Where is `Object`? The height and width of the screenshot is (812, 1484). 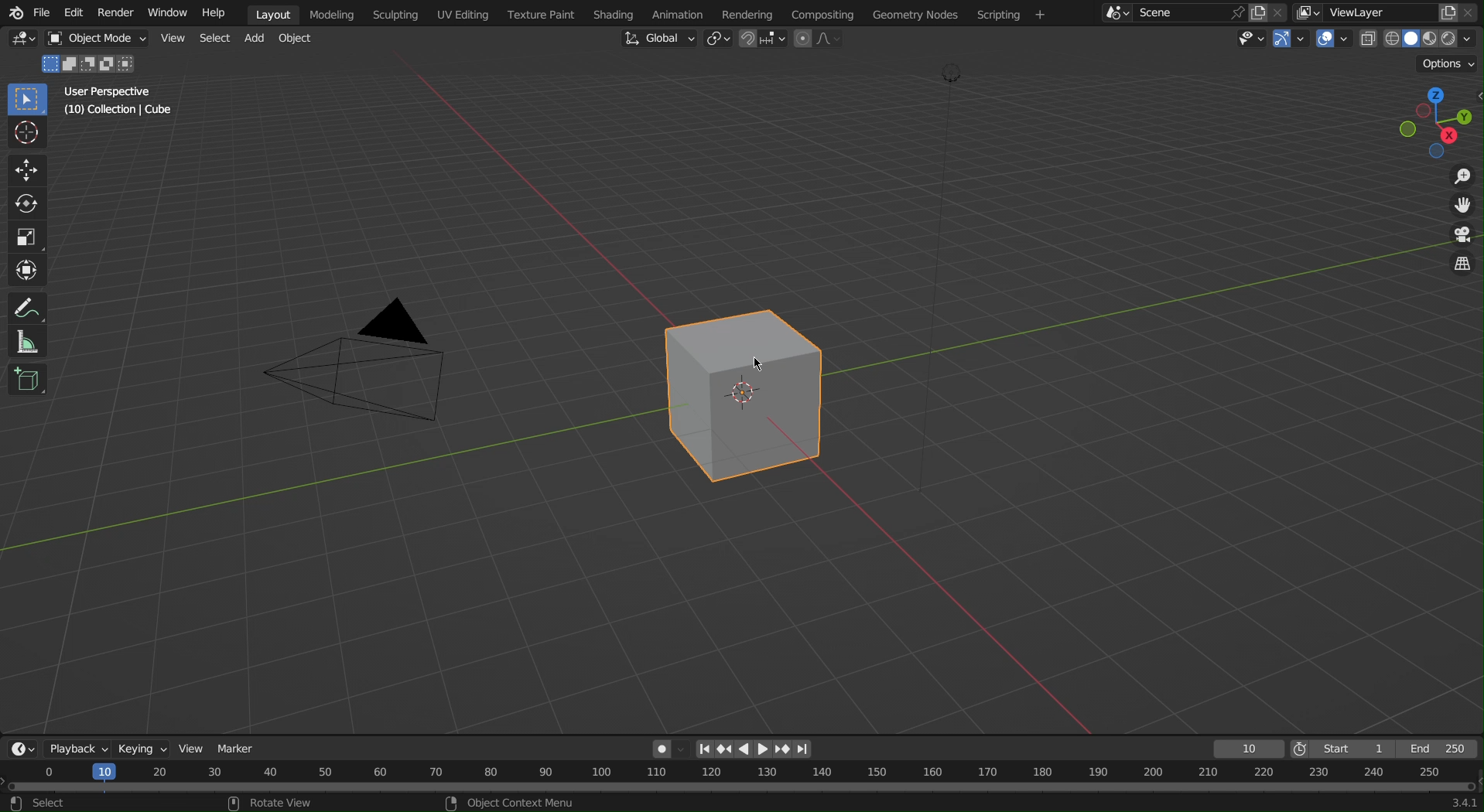
Object is located at coordinates (102, 39).